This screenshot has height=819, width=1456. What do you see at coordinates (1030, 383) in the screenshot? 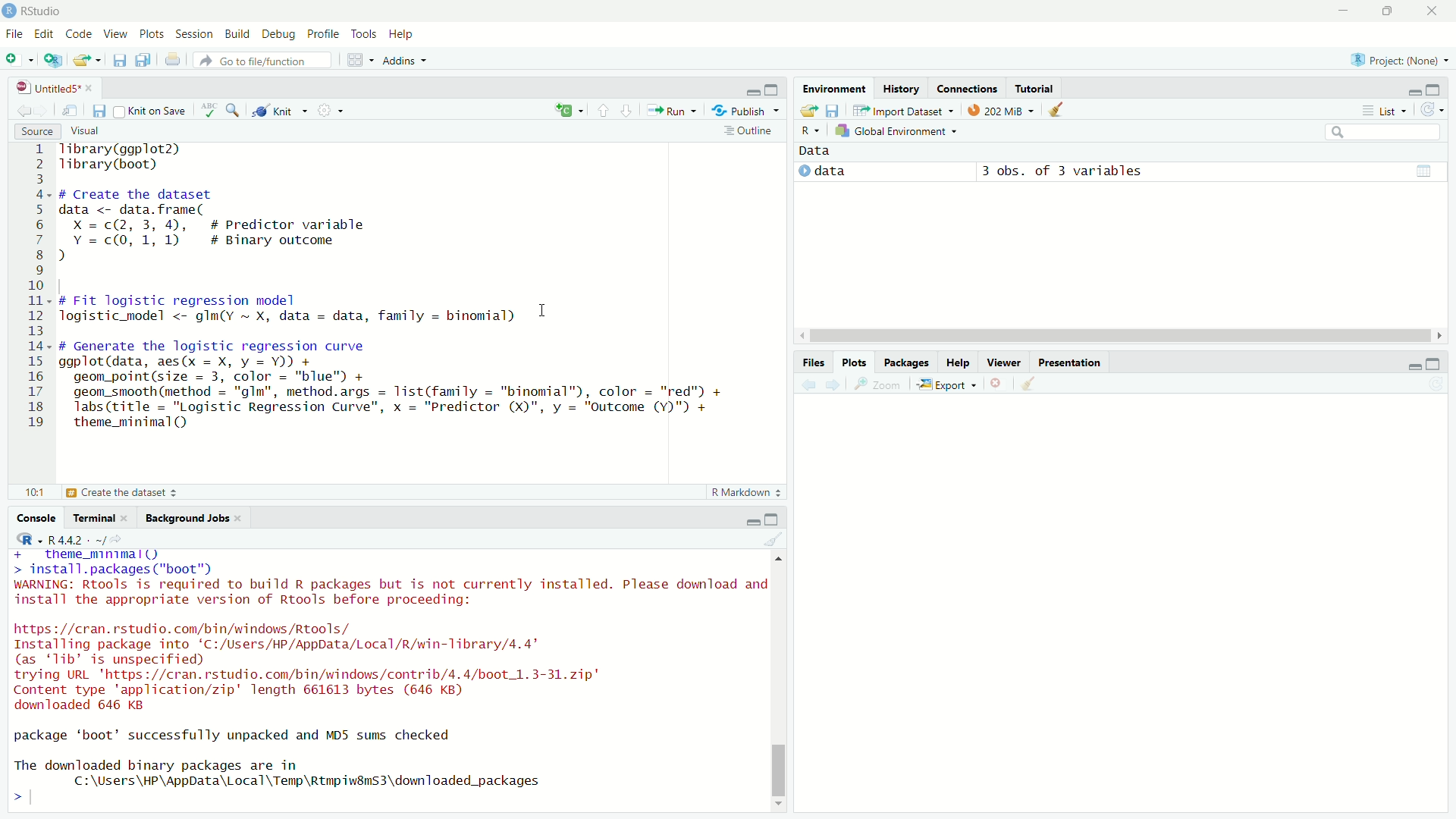
I see `Clear all plots` at bounding box center [1030, 383].